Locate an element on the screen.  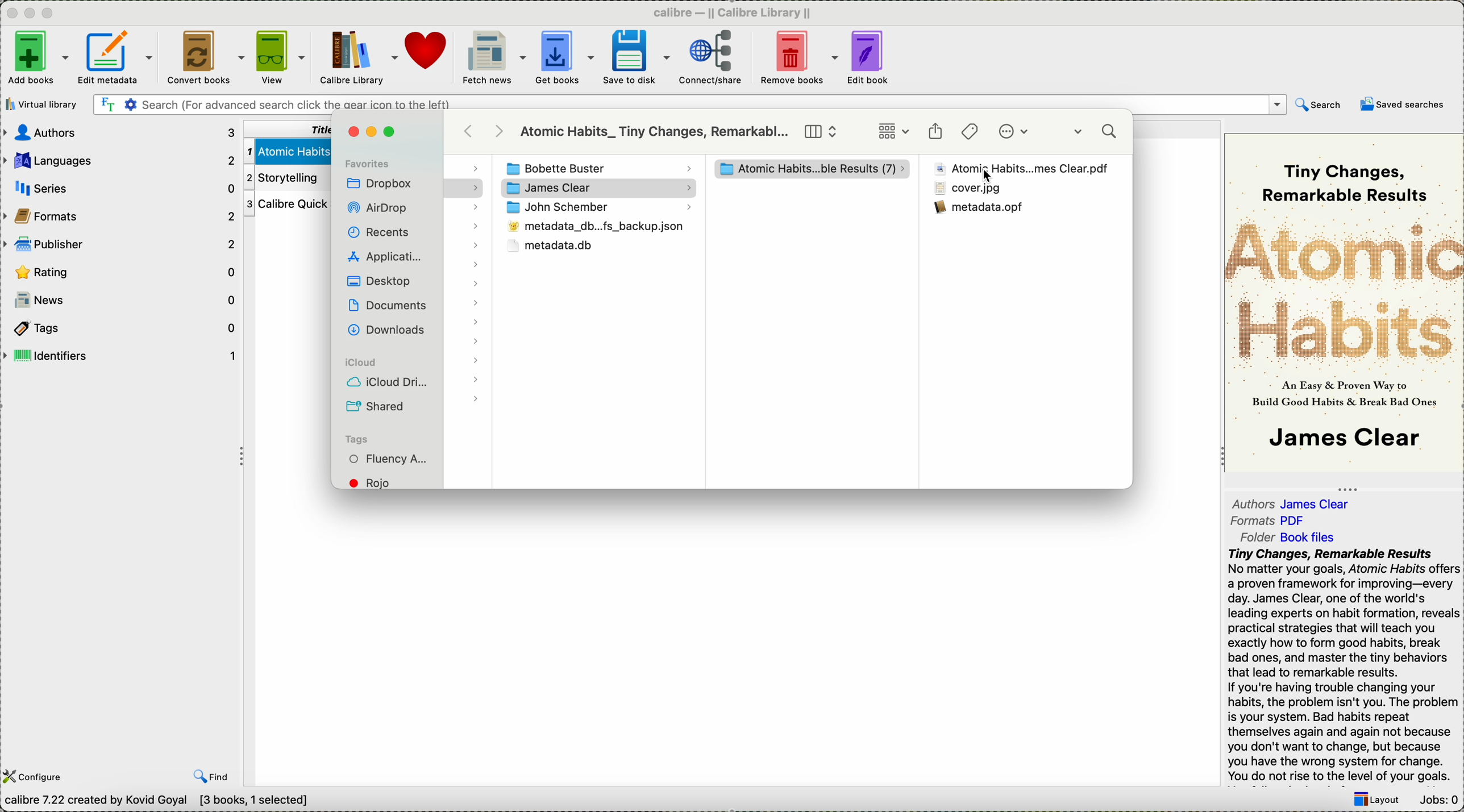
formats is located at coordinates (1271, 521).